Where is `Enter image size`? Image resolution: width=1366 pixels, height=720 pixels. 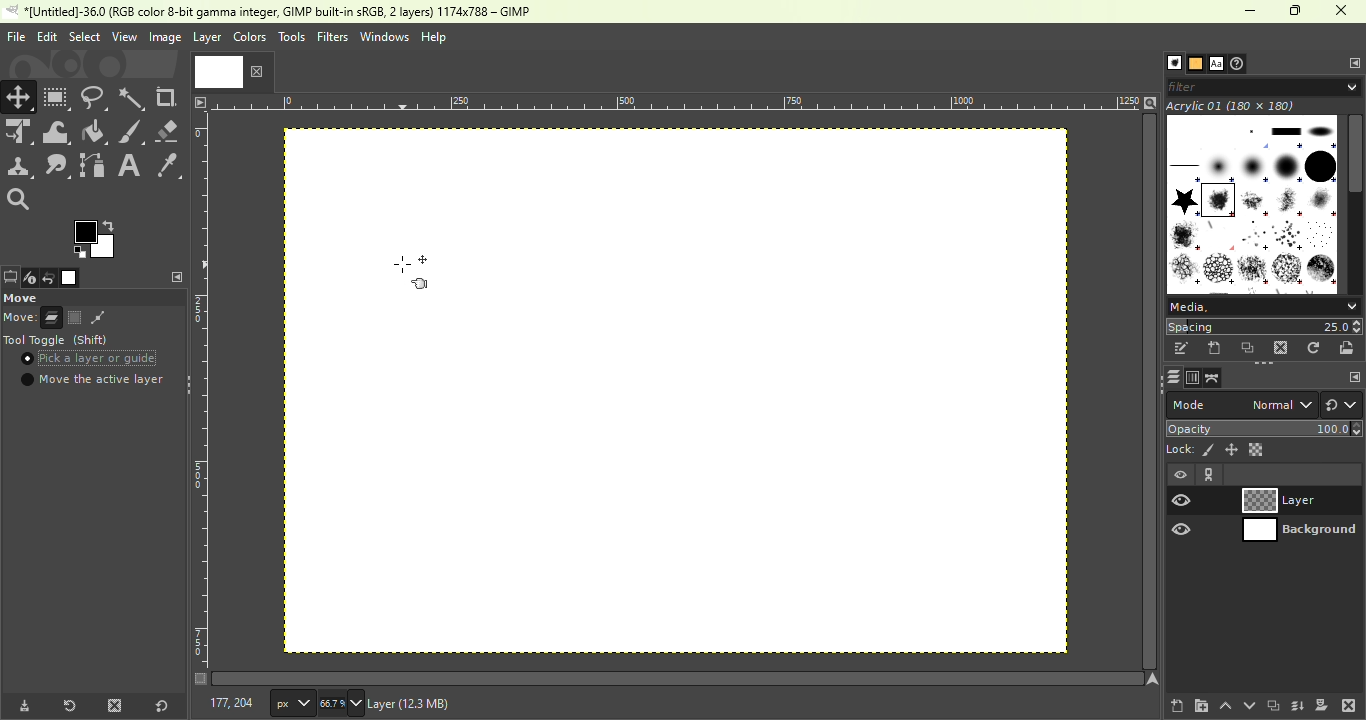
Enter image size is located at coordinates (342, 703).